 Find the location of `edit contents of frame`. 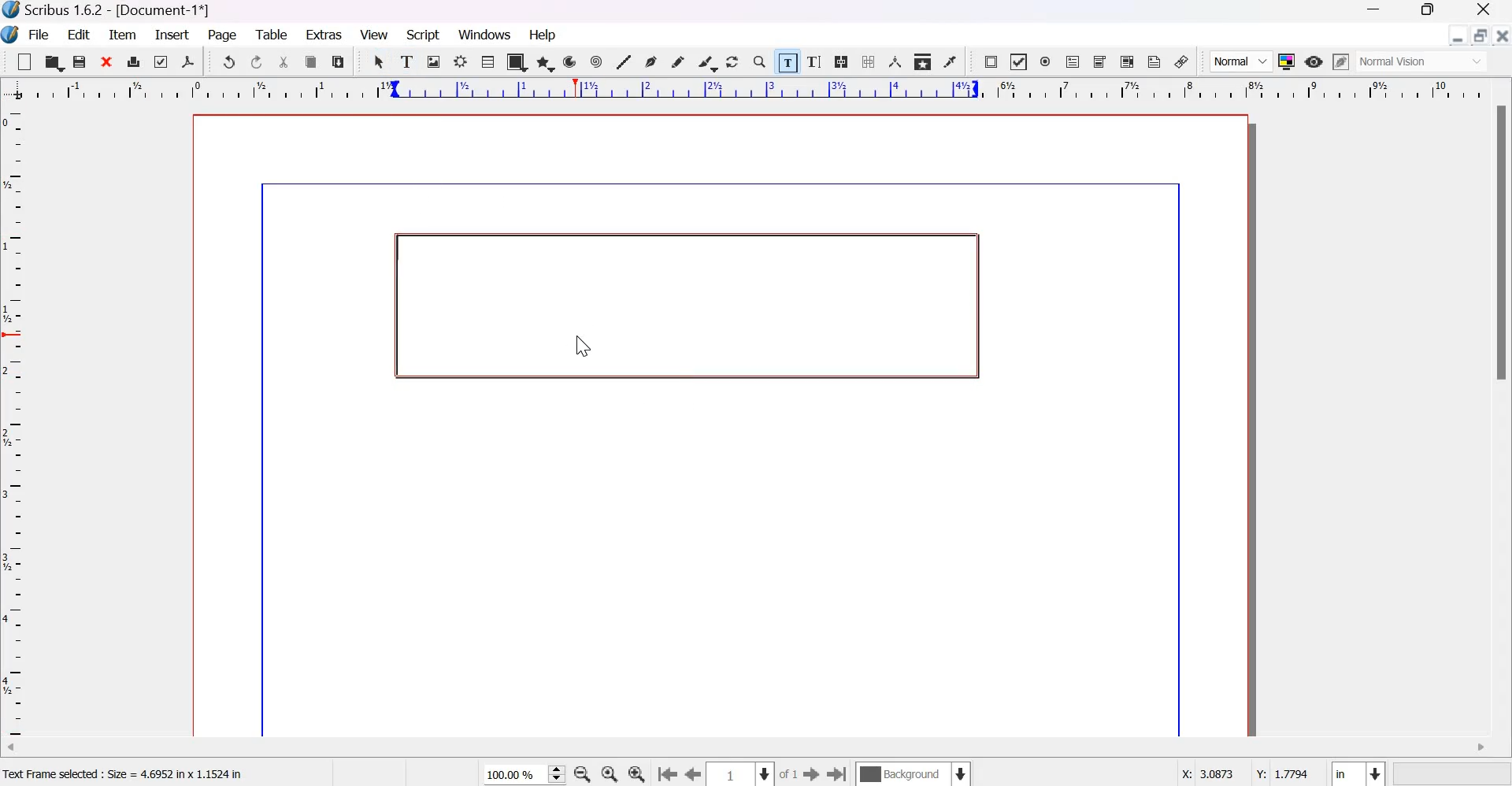

edit contents of frame is located at coordinates (786, 61).